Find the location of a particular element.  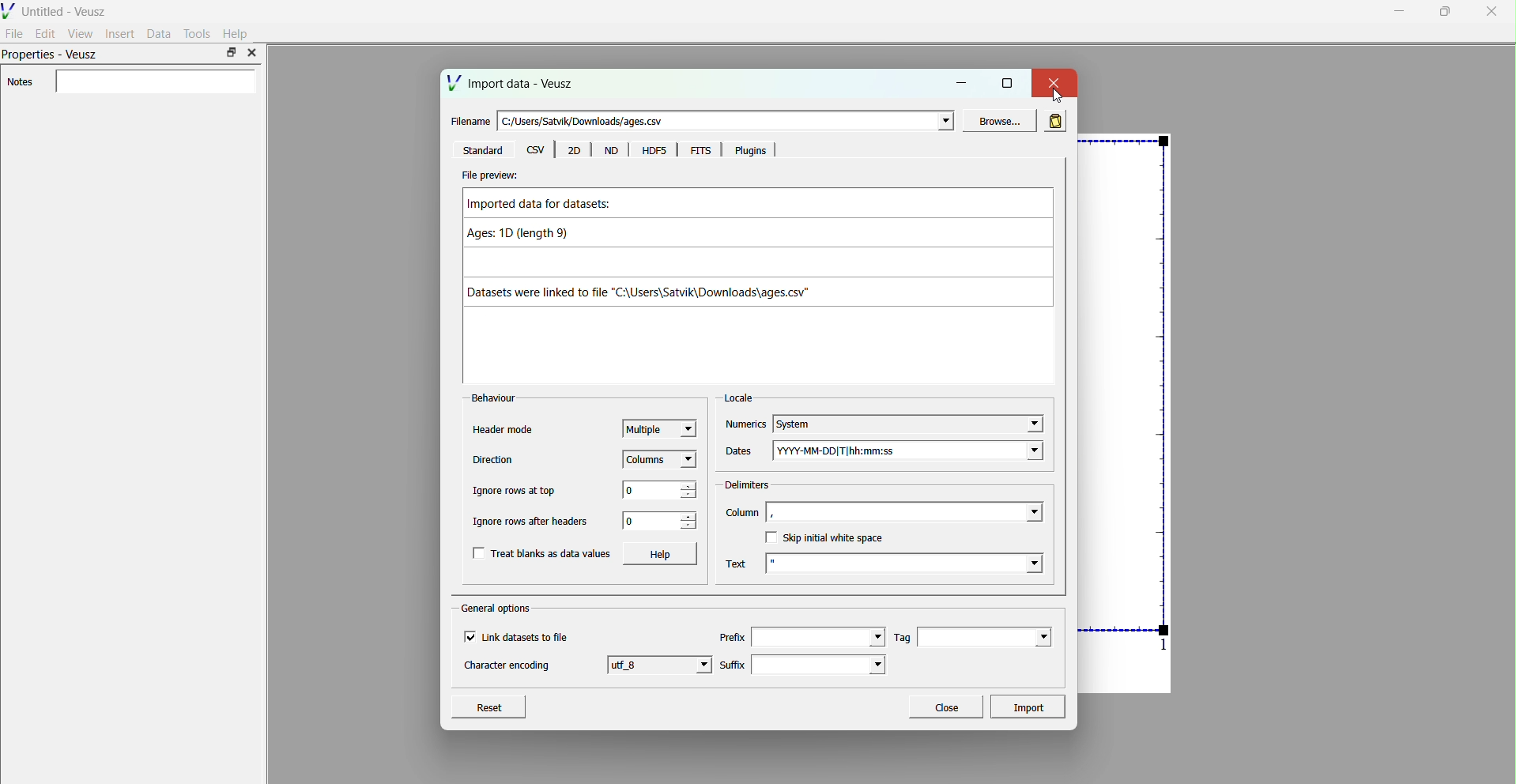

Edit is located at coordinates (46, 33).